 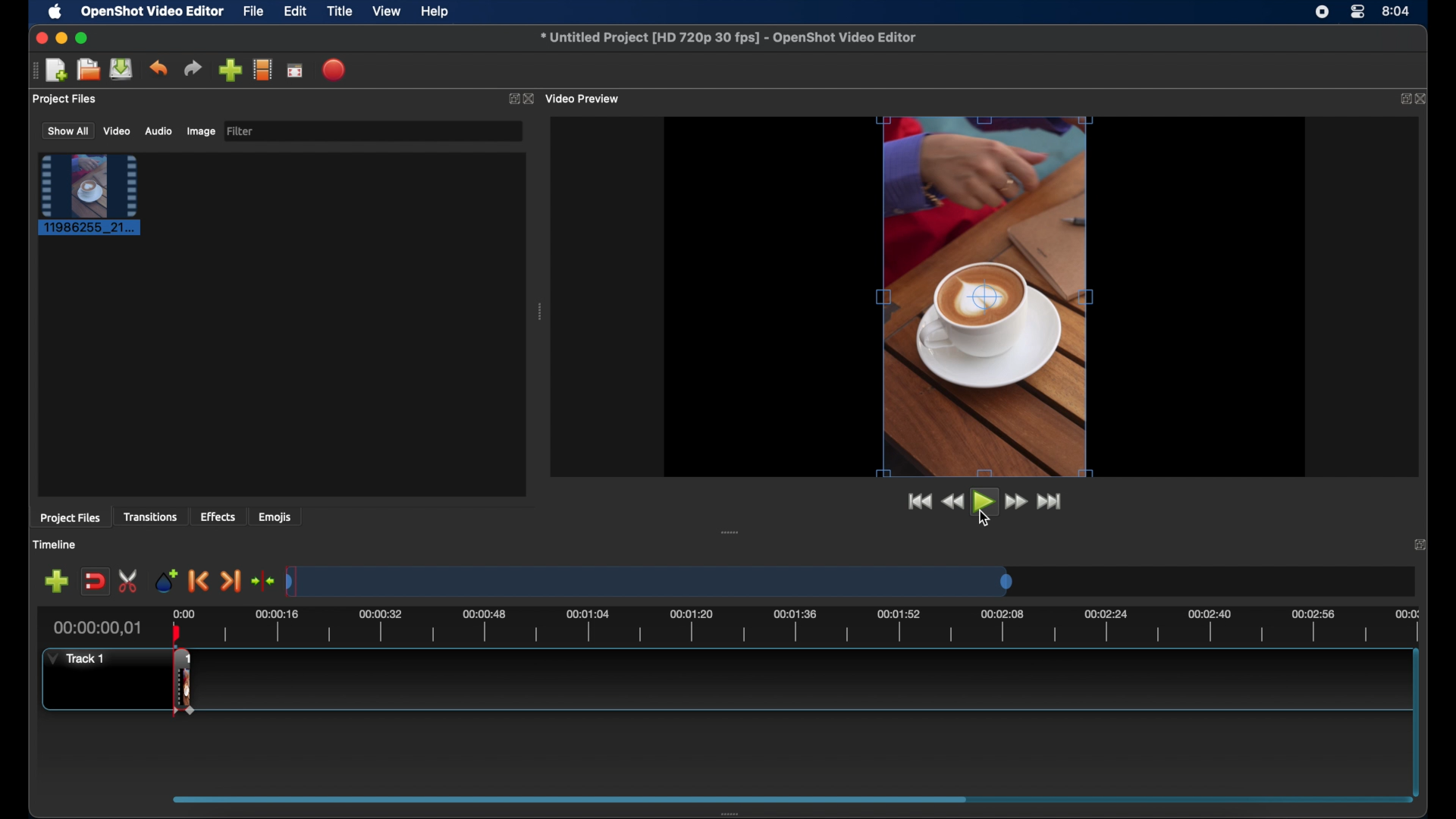 What do you see at coordinates (739, 811) in the screenshot?
I see `drag handle` at bounding box center [739, 811].